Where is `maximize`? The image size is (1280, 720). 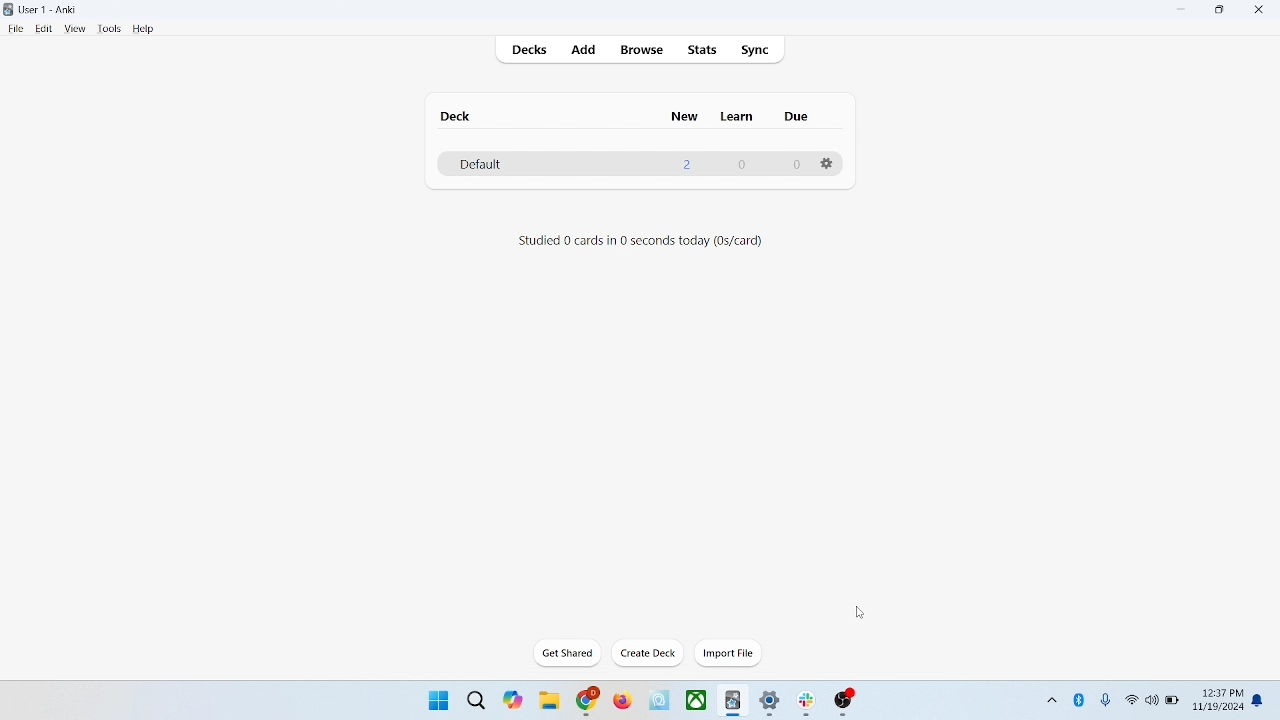
maximize is located at coordinates (1220, 13).